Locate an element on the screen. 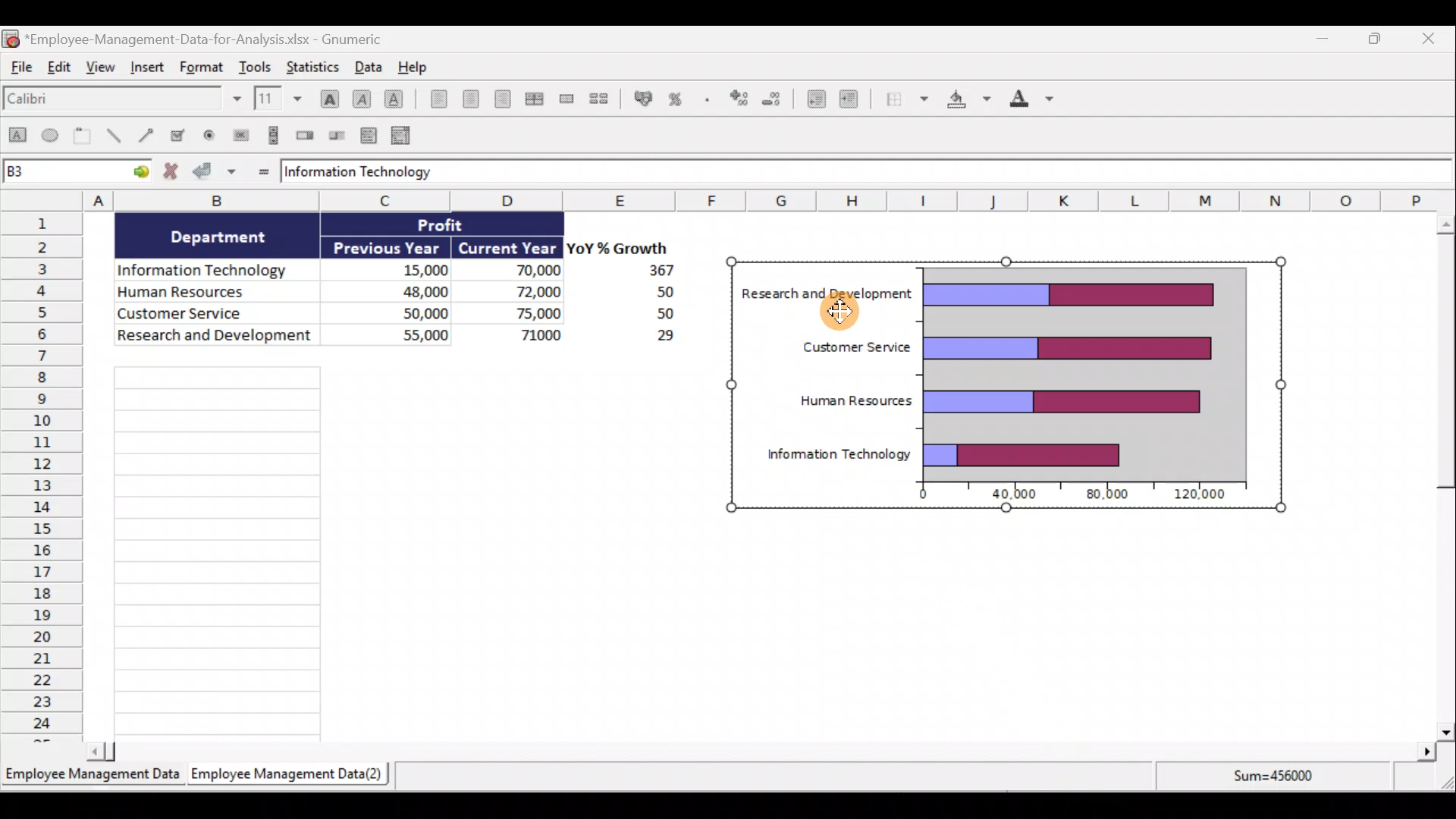 The width and height of the screenshot is (1456, 819). 72,000 is located at coordinates (525, 293).